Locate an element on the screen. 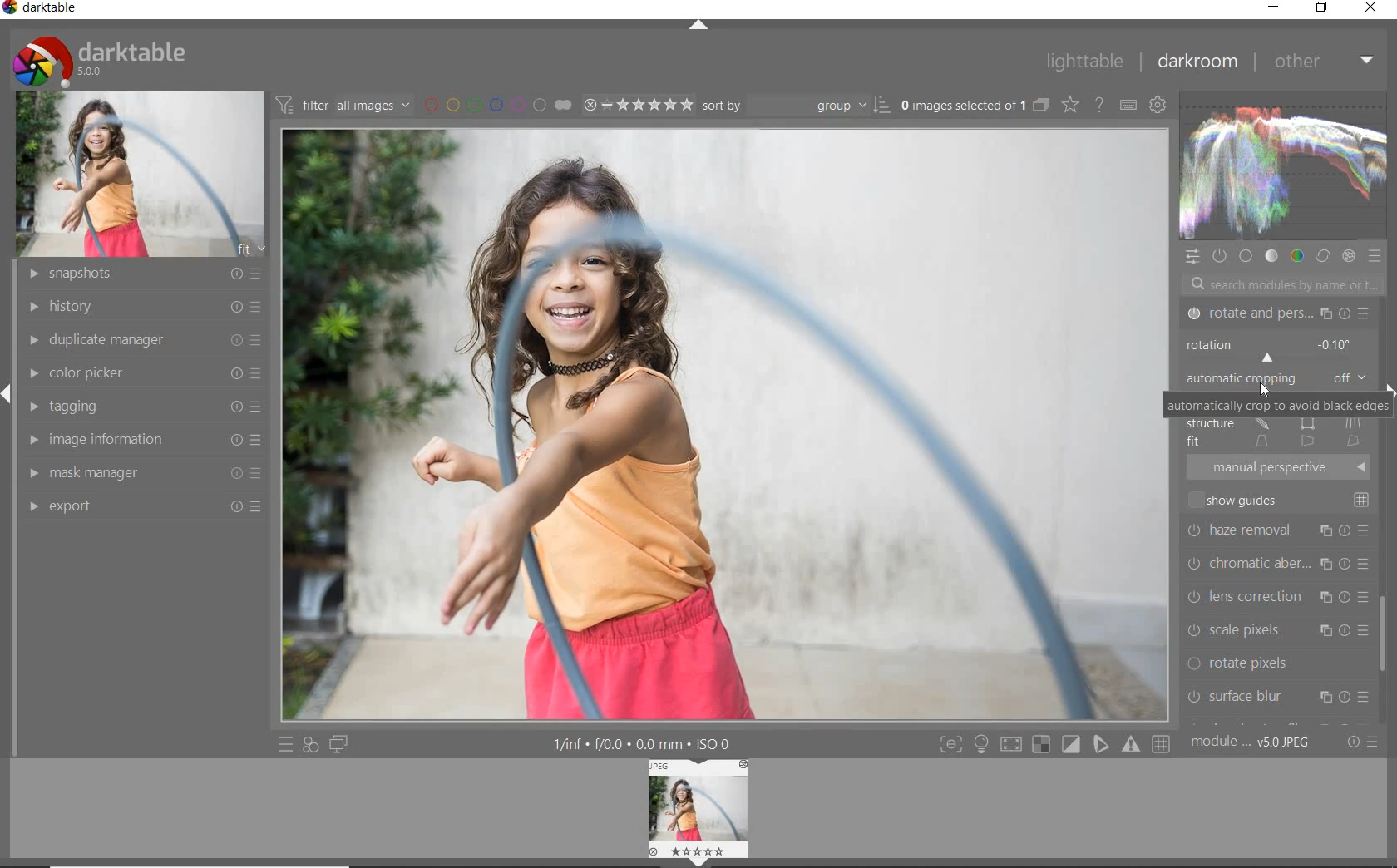 This screenshot has width=1397, height=868. surface blur is located at coordinates (1278, 698).